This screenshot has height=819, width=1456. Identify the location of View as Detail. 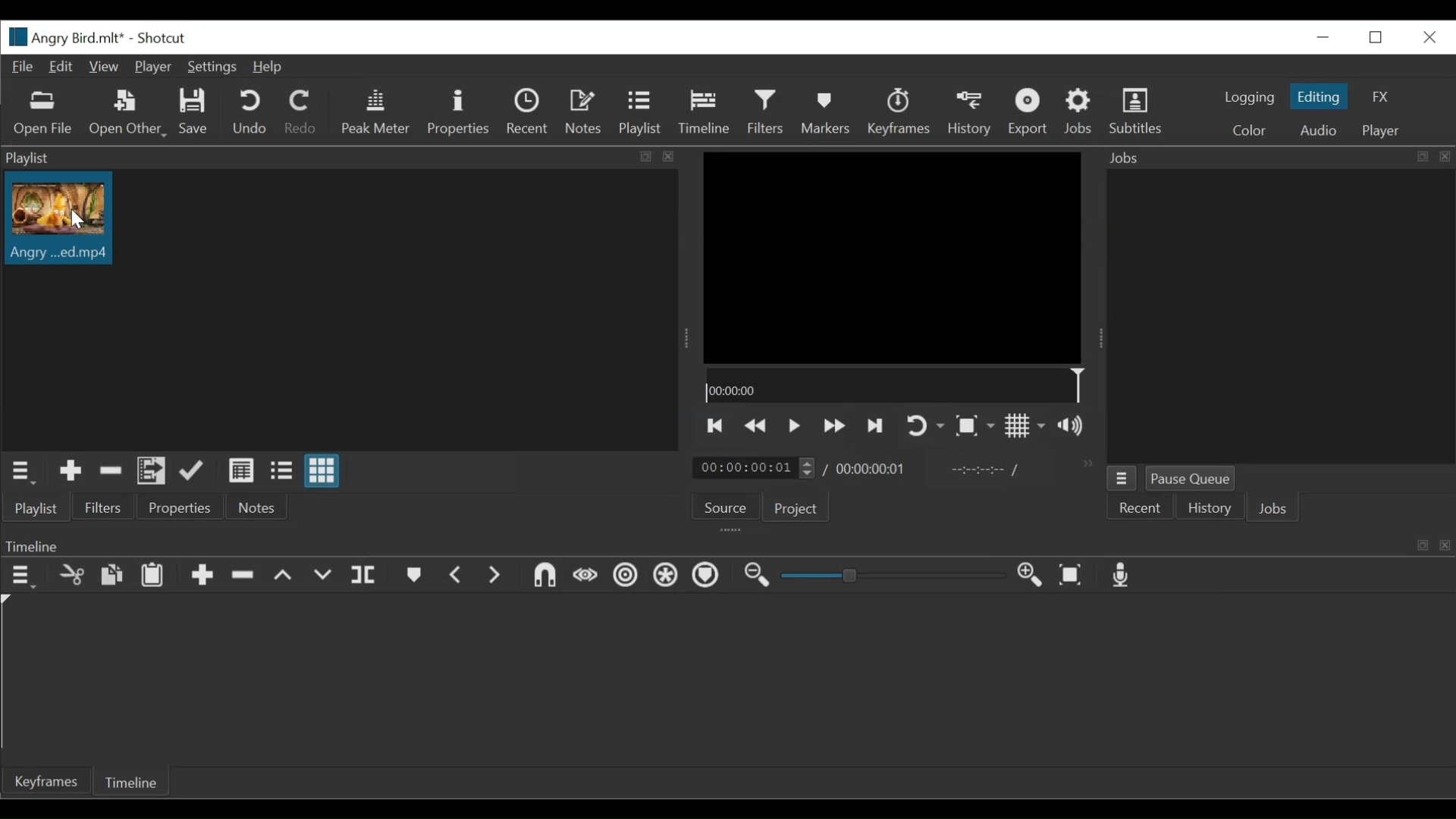
(240, 470).